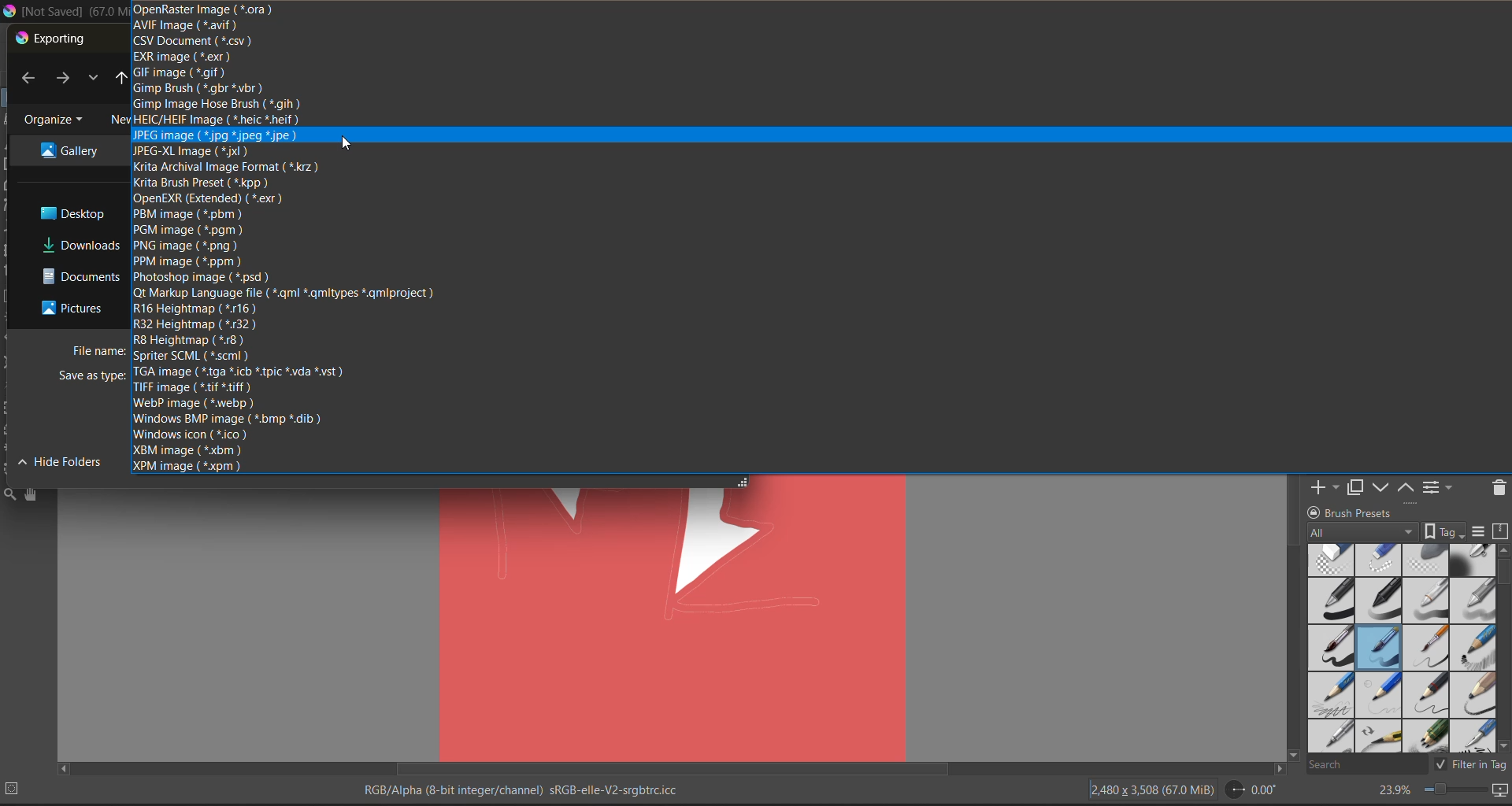 This screenshot has height=806, width=1512. I want to click on avif image, so click(187, 26).